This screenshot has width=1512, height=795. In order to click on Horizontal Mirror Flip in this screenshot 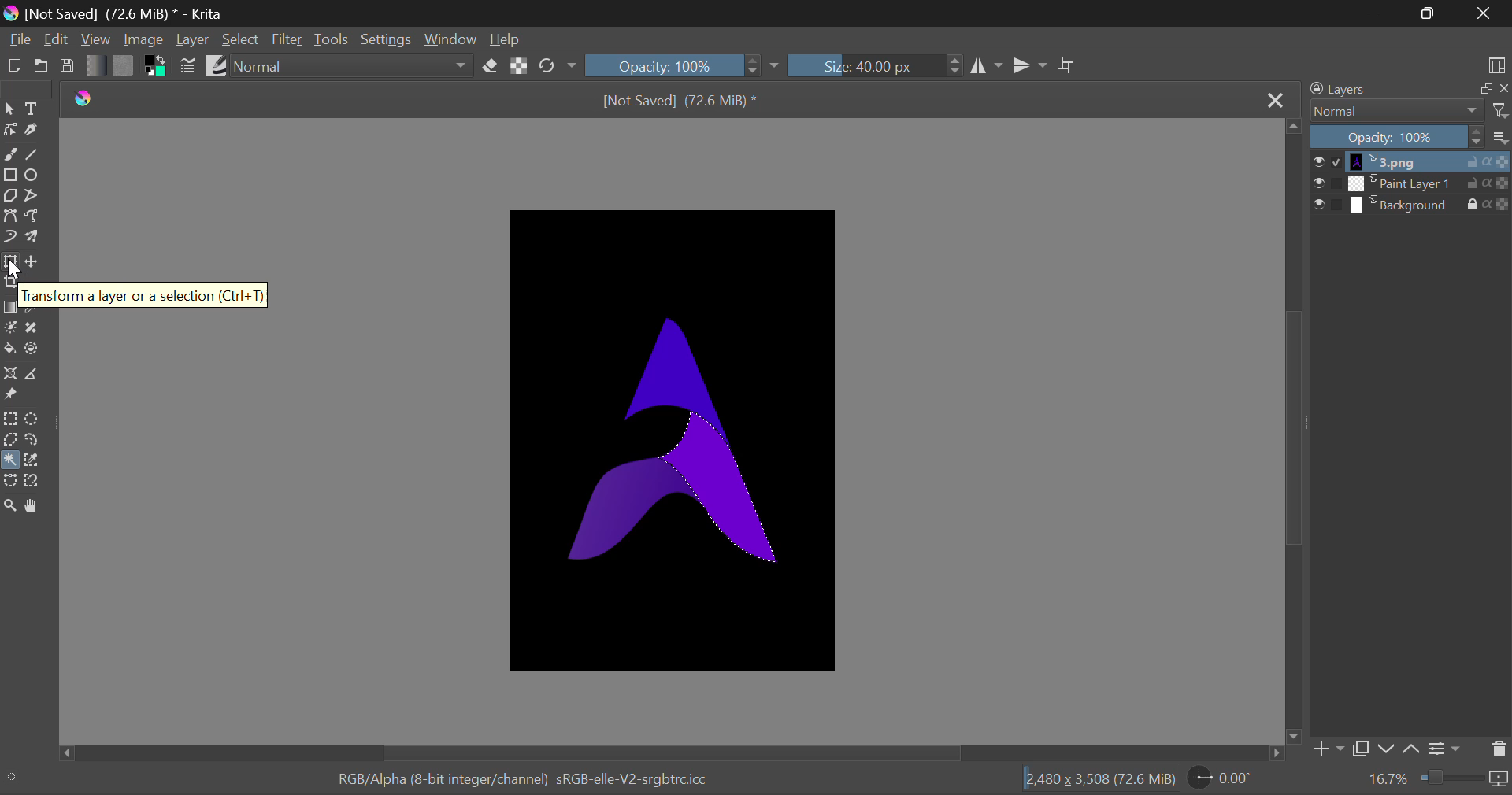, I will do `click(1031, 65)`.